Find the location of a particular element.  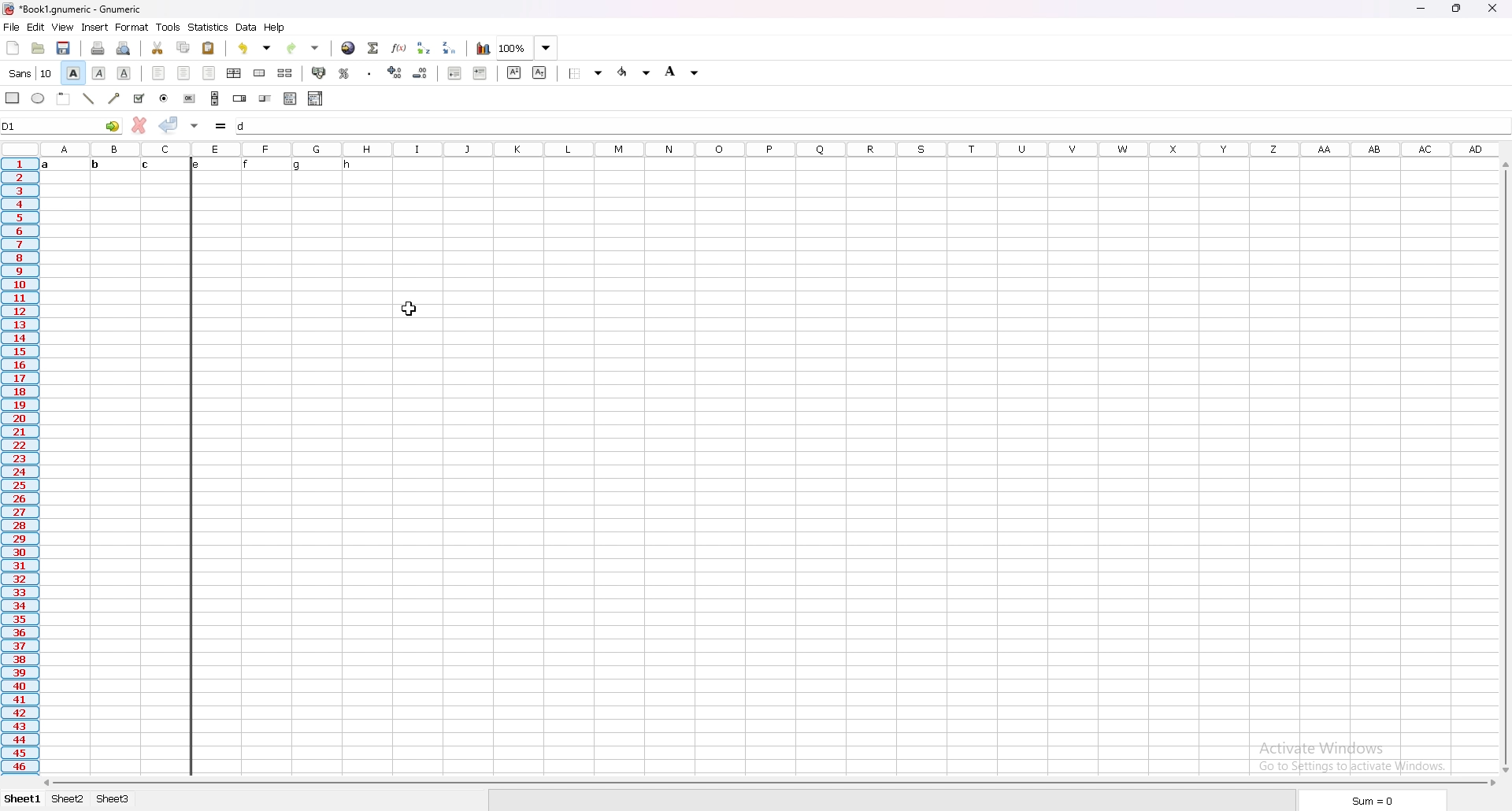

text is located at coordinates (198, 163).